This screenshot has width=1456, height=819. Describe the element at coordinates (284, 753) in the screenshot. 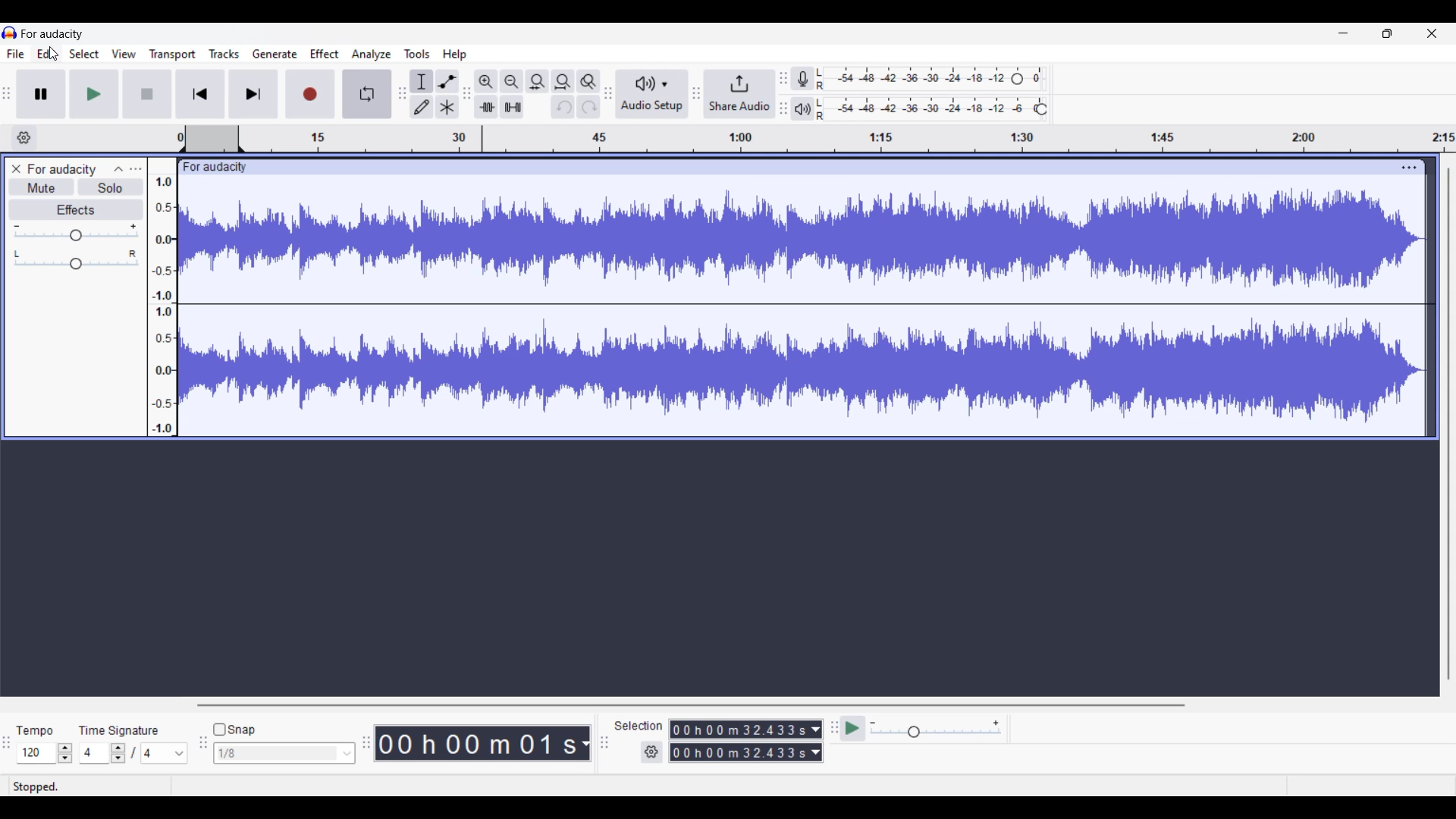

I see `Snap options` at that location.